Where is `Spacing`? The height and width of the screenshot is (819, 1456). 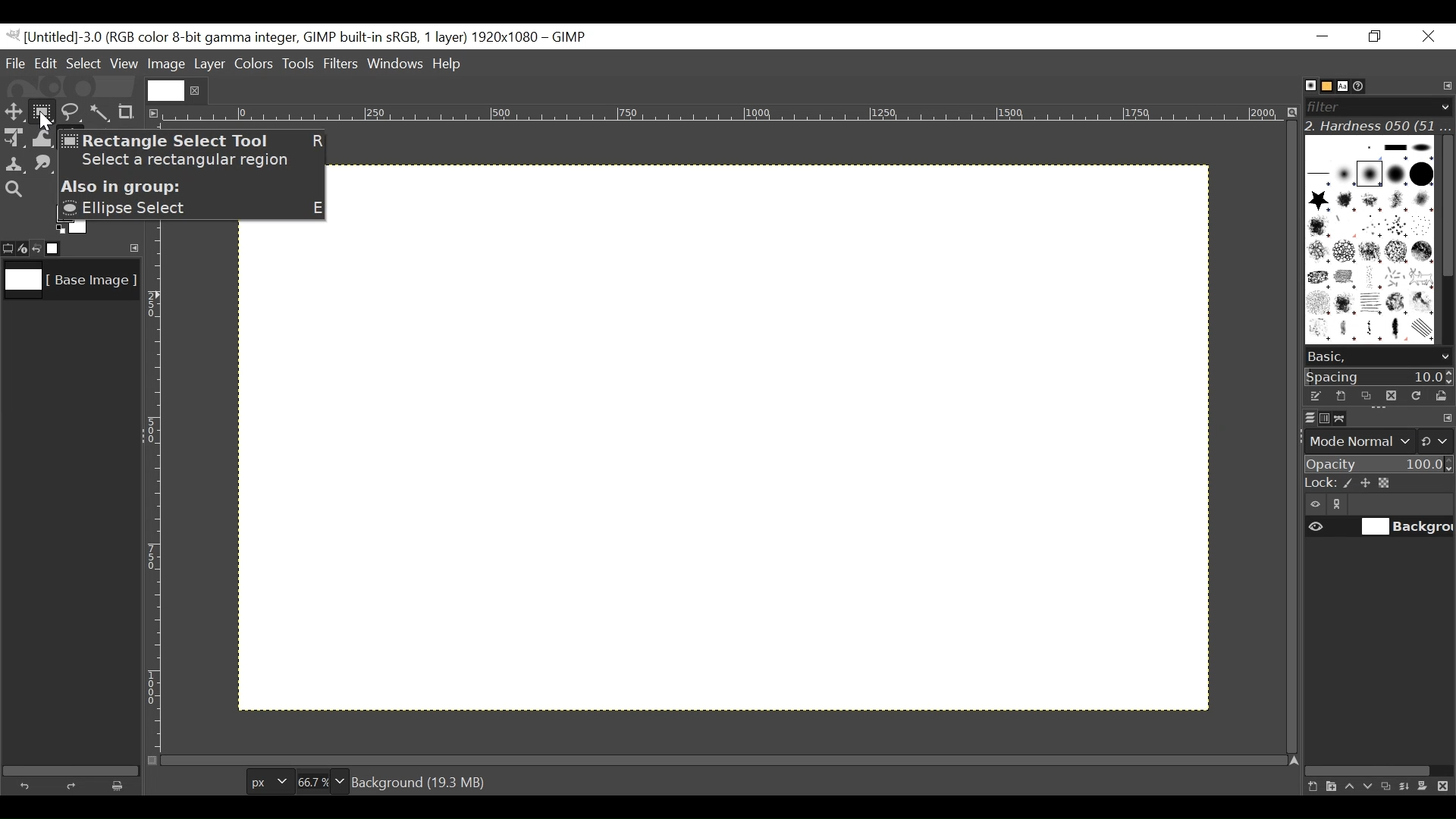
Spacing is located at coordinates (1379, 376).